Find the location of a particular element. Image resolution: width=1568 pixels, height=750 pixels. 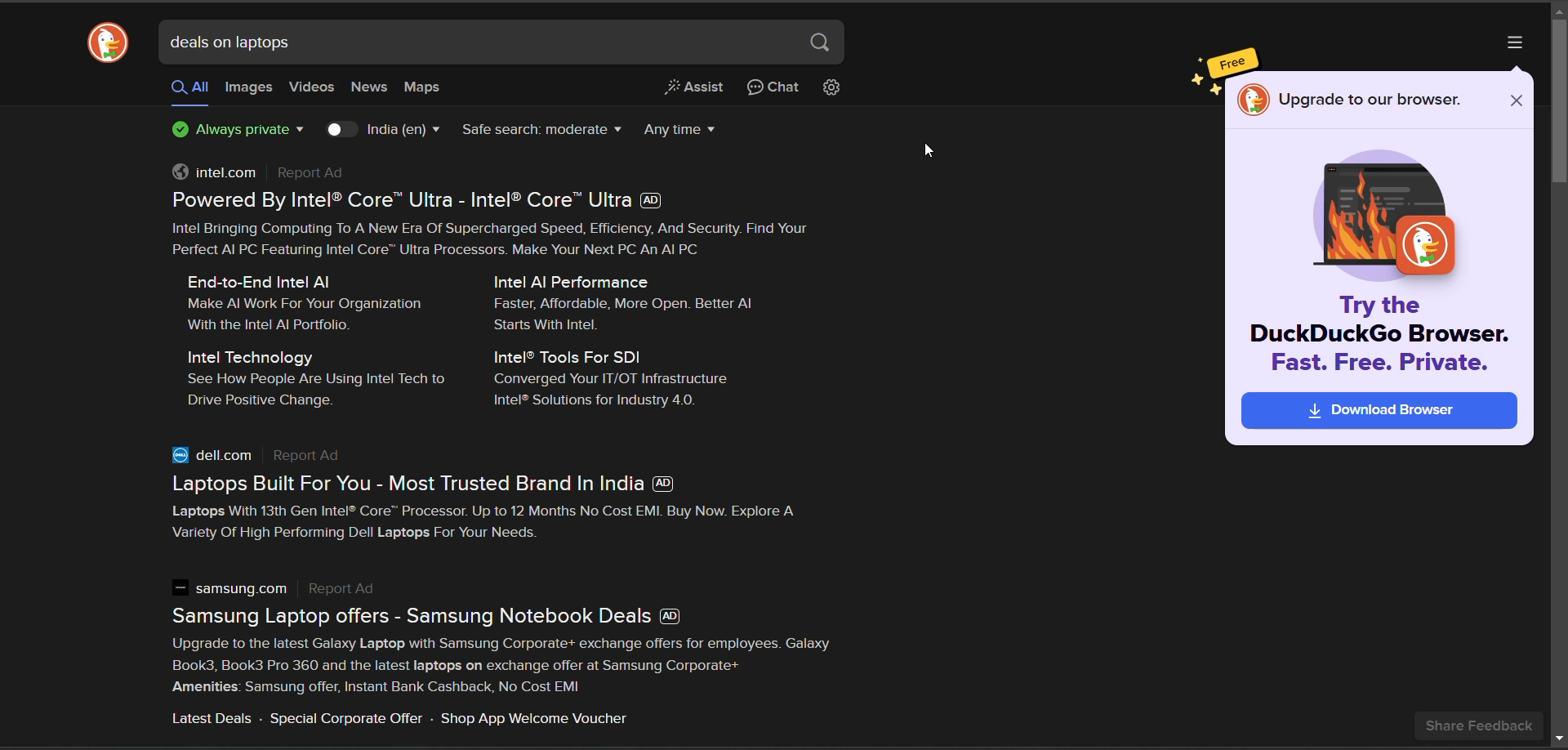

news is located at coordinates (370, 88).